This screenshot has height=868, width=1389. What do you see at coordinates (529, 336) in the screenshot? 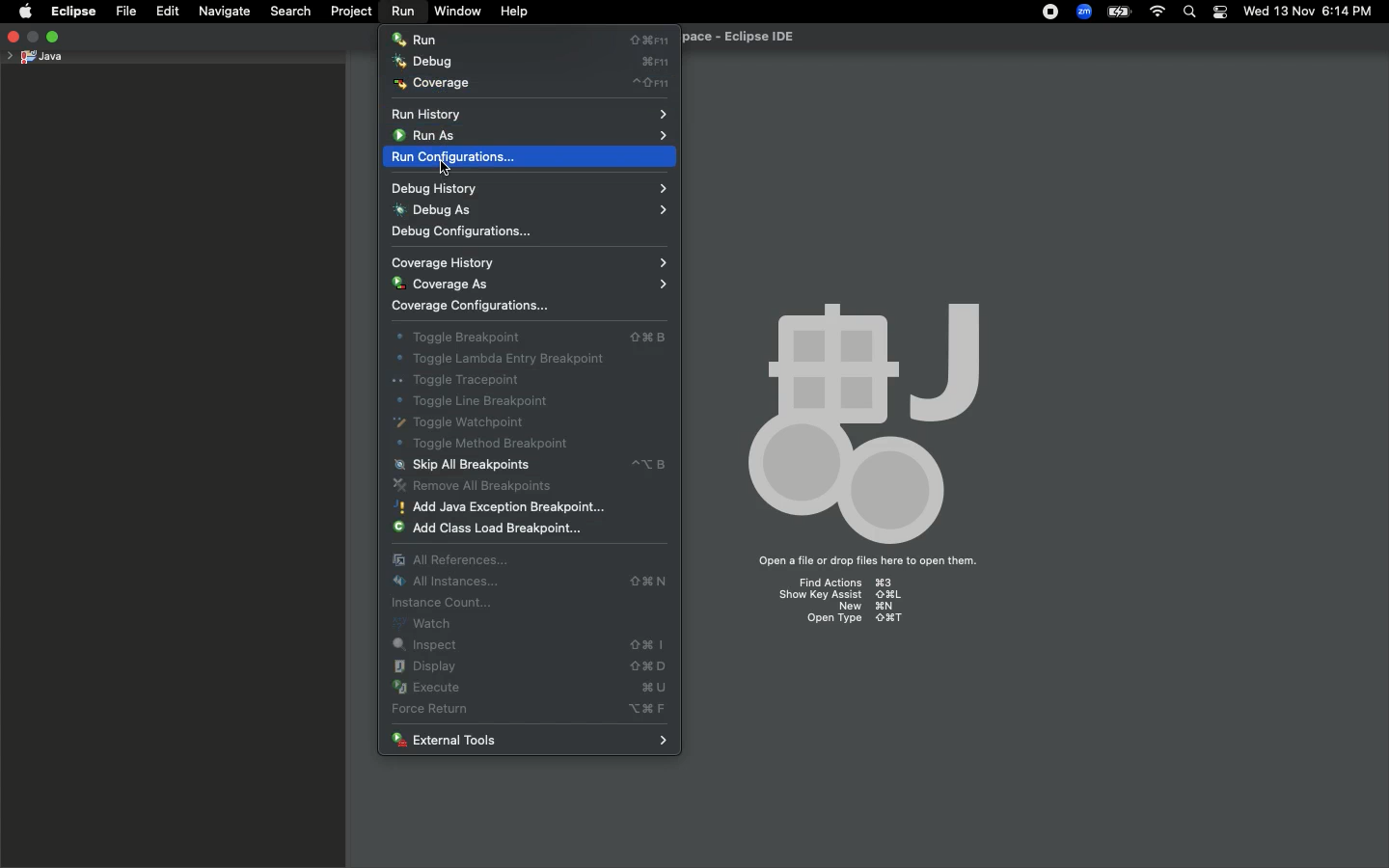
I see `Toggle breakout` at bounding box center [529, 336].